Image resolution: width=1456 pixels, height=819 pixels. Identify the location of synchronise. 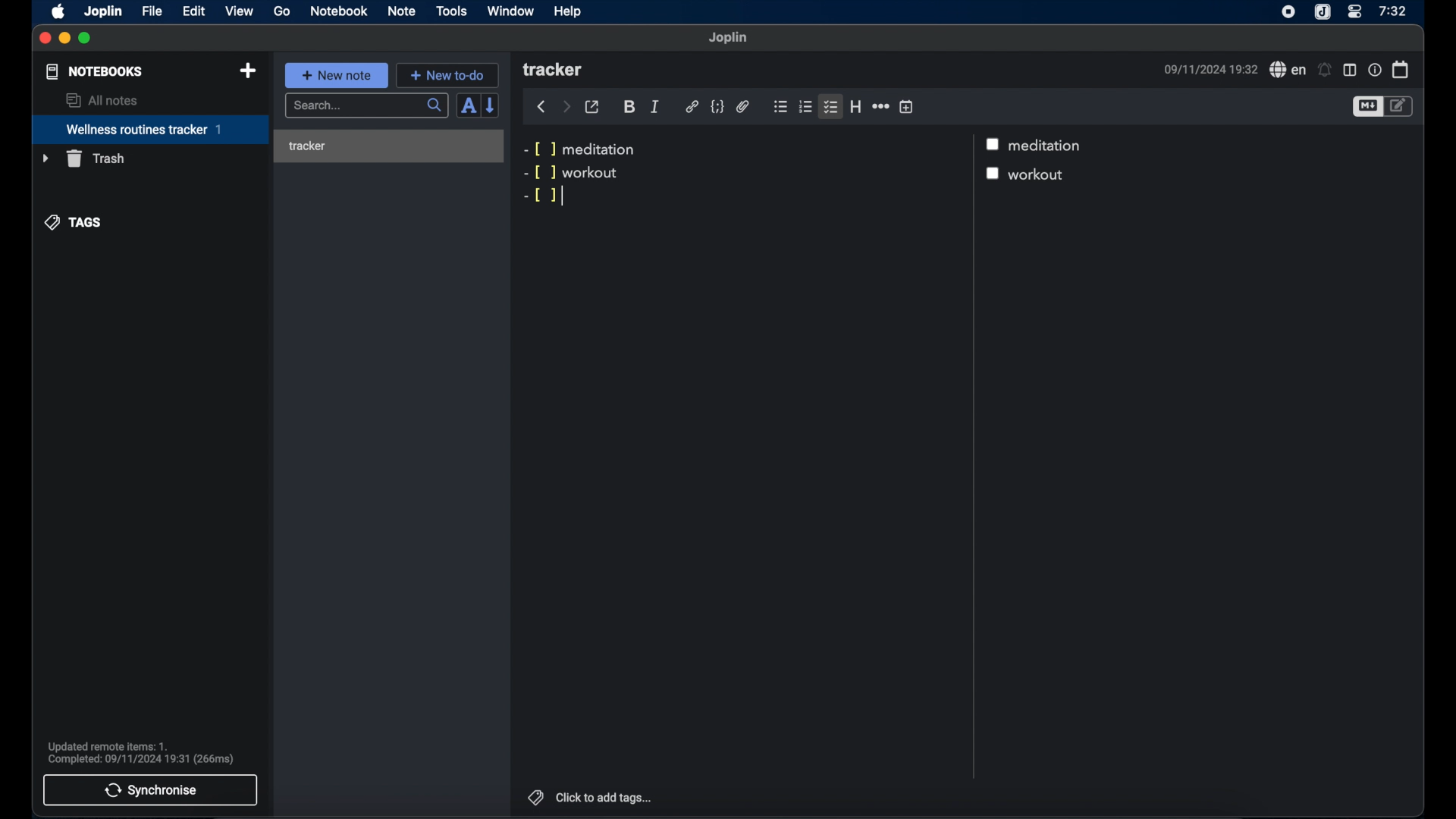
(151, 790).